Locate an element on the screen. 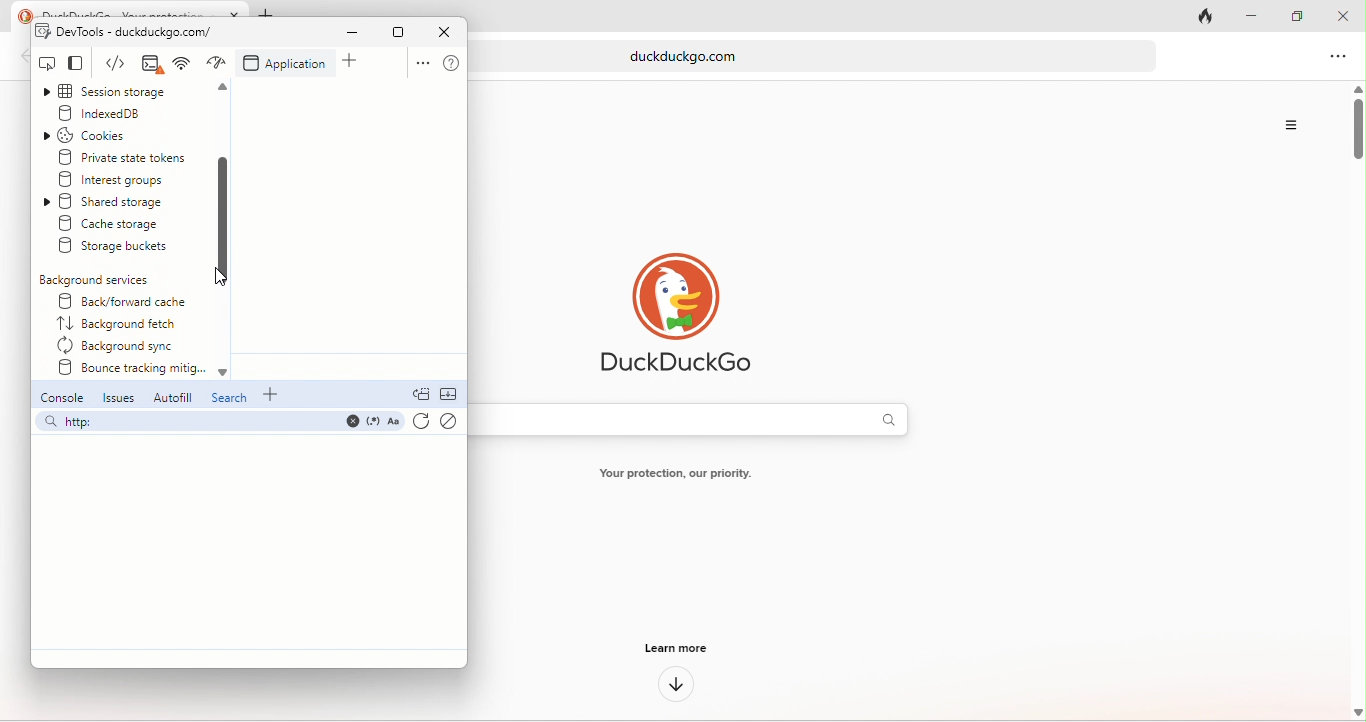  issues is located at coordinates (119, 399).